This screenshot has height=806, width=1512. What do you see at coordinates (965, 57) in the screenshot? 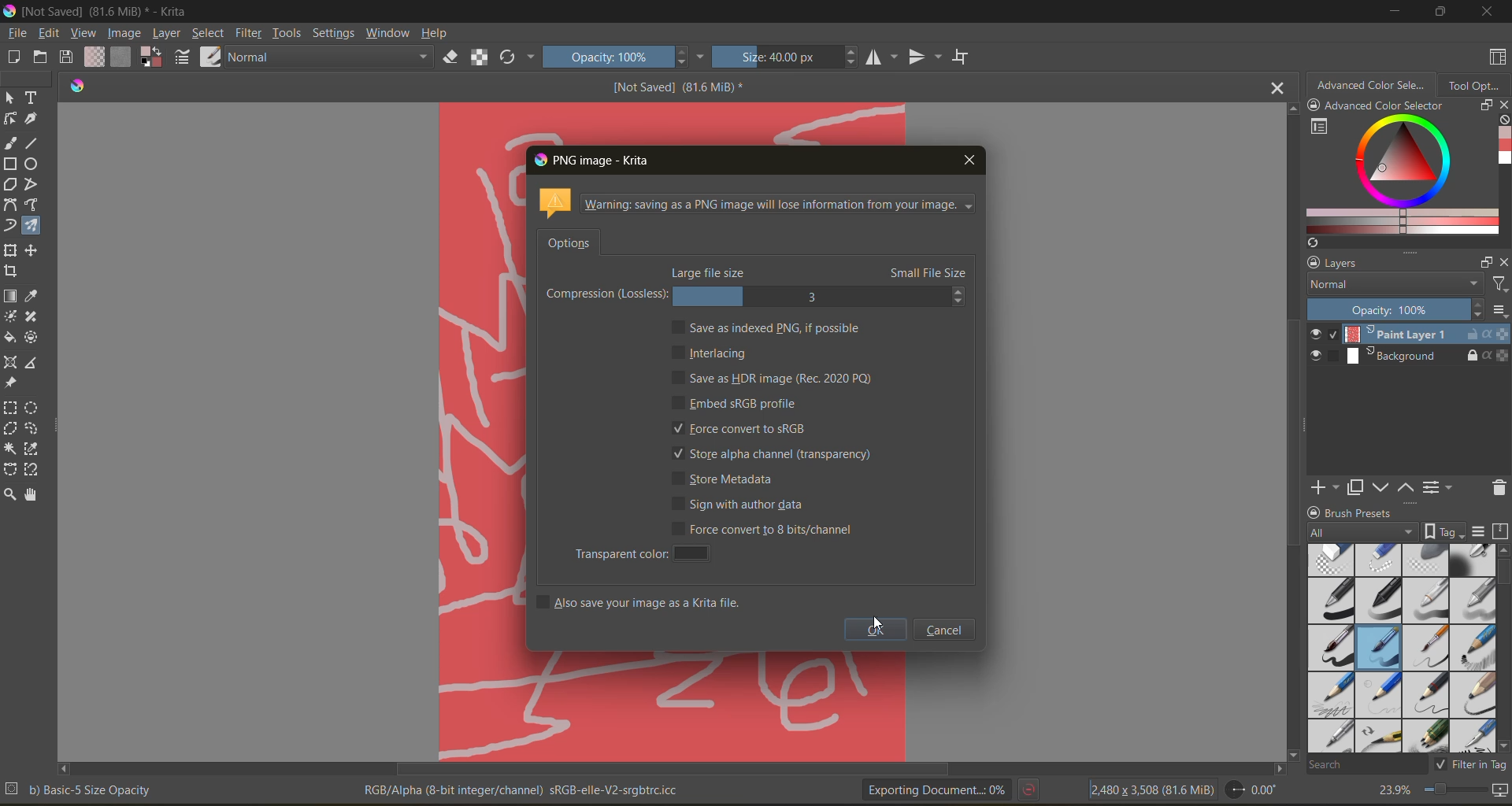
I see `wrap around mode` at bounding box center [965, 57].